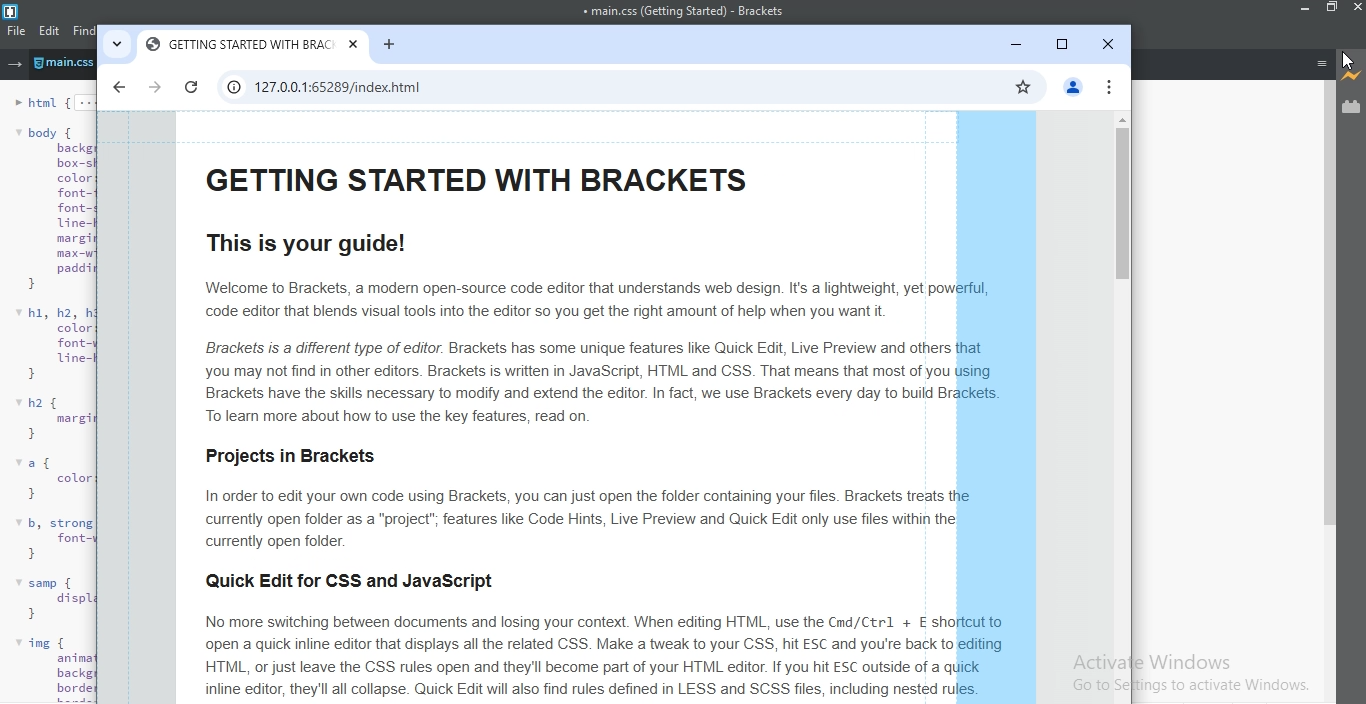  Describe the element at coordinates (308, 246) in the screenshot. I see `This is your guide!` at that location.